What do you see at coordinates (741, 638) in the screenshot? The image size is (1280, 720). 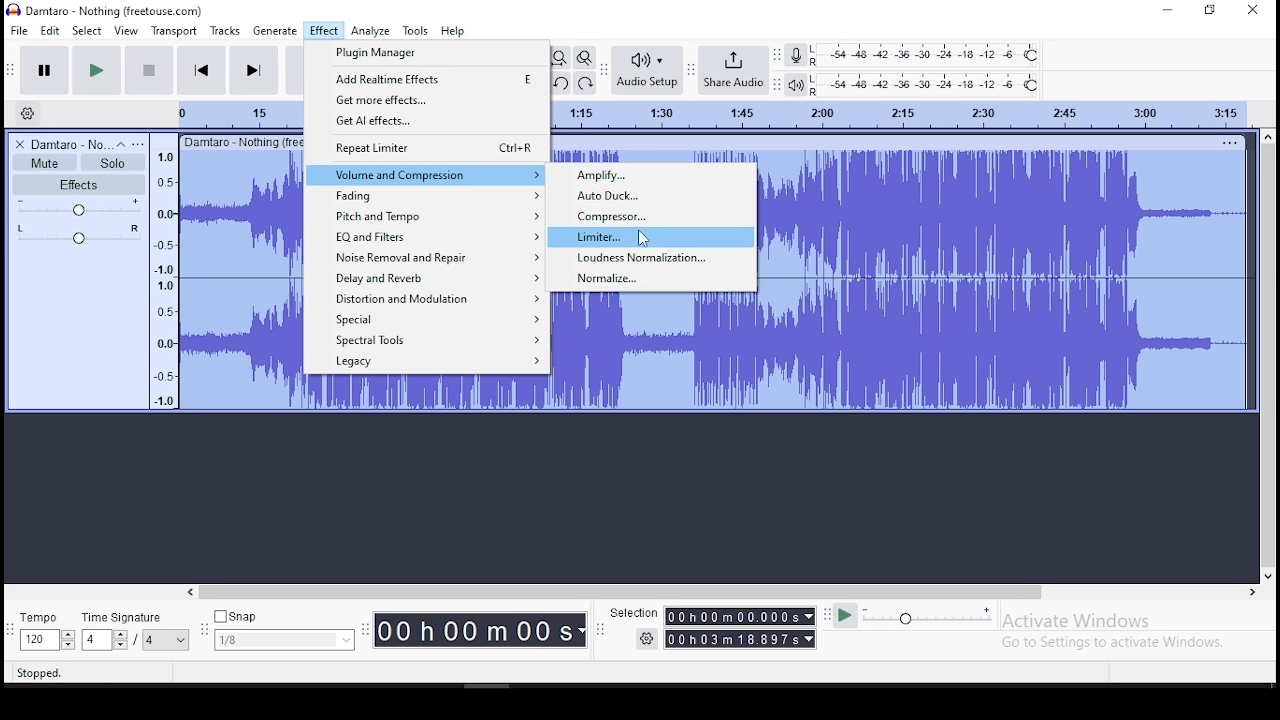 I see `00 h 00 m 00.000 s` at bounding box center [741, 638].